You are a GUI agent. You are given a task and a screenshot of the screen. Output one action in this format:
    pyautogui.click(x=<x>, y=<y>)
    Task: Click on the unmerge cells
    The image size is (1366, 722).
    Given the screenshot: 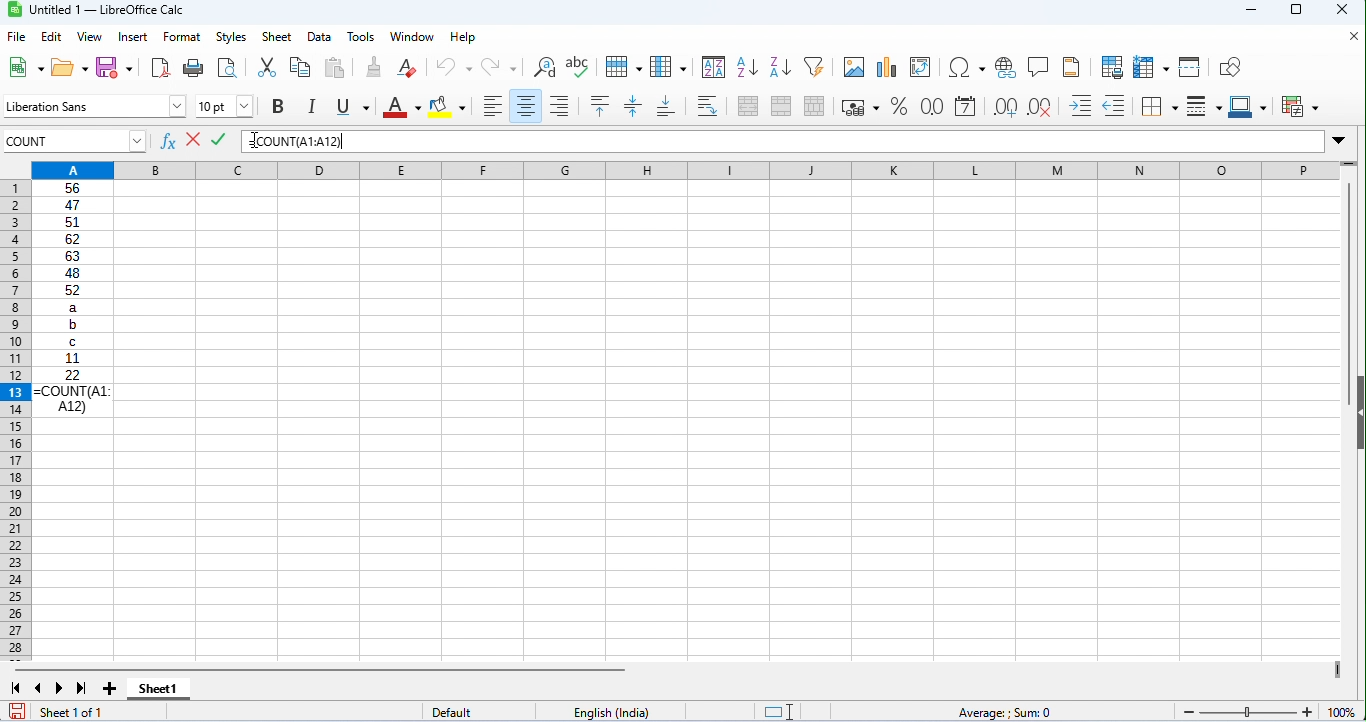 What is the action you would take?
    pyautogui.click(x=815, y=106)
    